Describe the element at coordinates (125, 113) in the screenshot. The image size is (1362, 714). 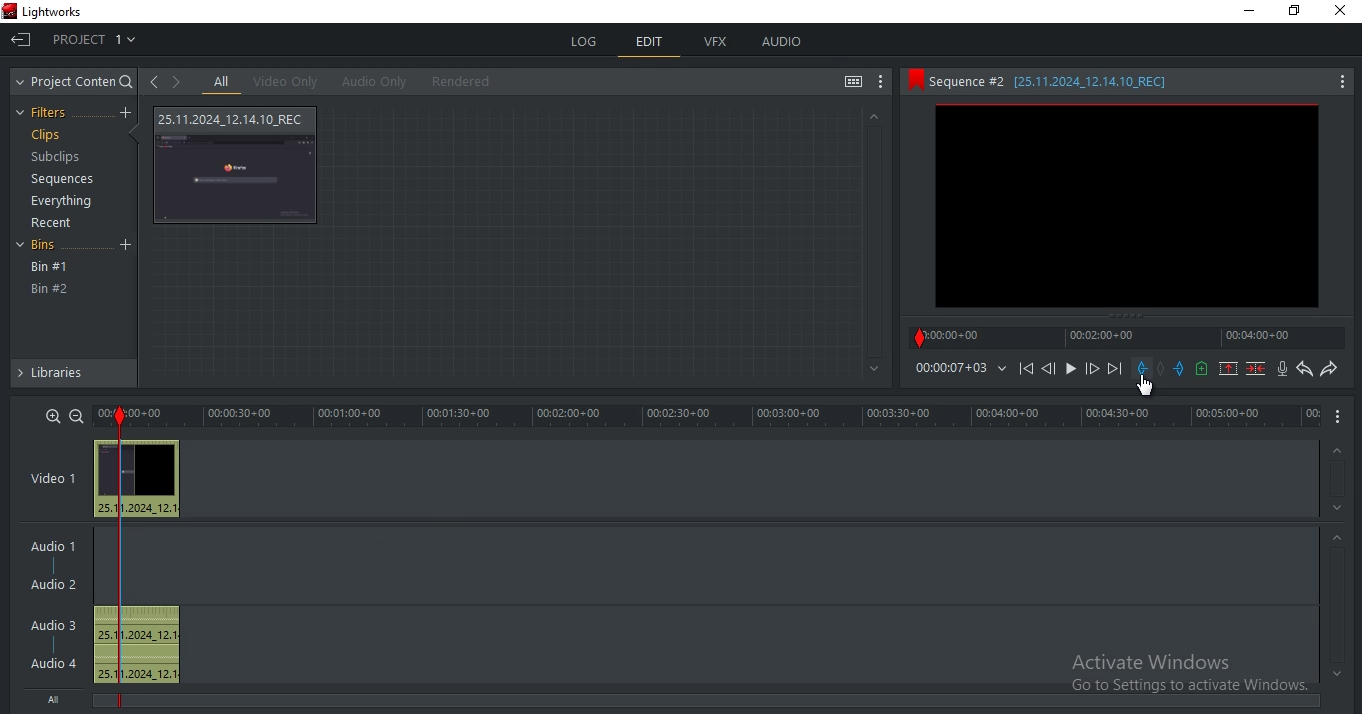
I see `create a filter` at that location.